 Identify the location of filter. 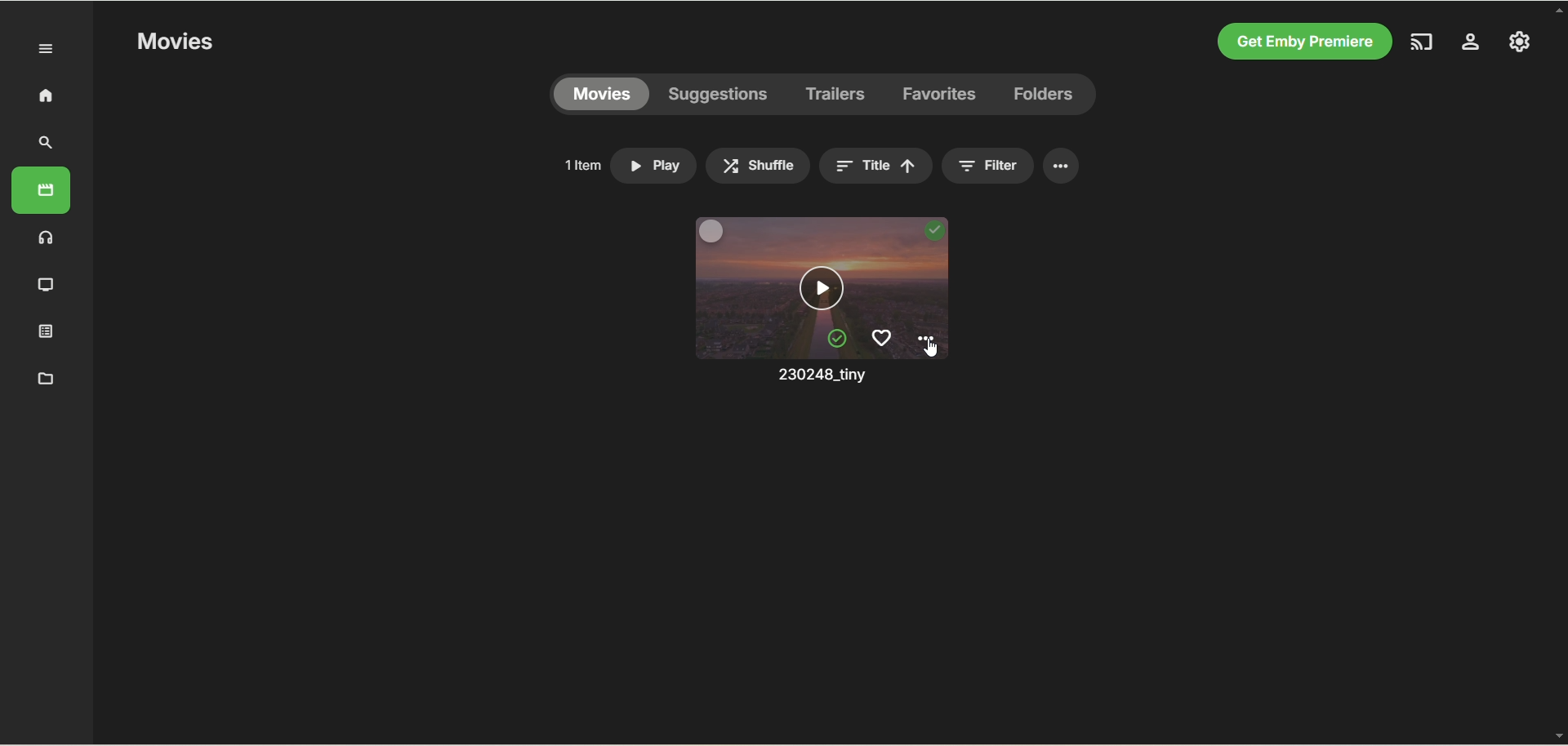
(987, 166).